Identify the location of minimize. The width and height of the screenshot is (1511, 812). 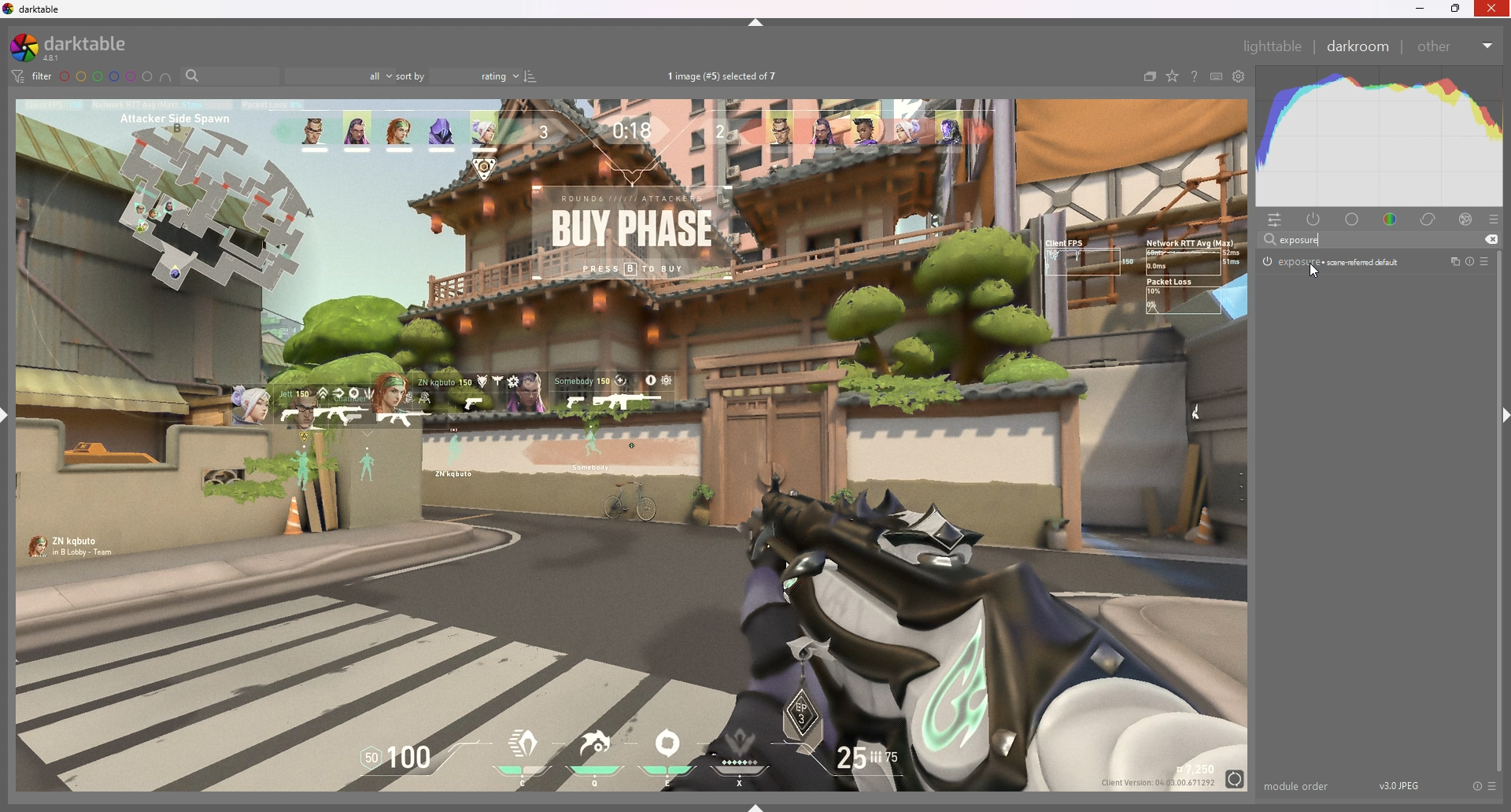
(1420, 9).